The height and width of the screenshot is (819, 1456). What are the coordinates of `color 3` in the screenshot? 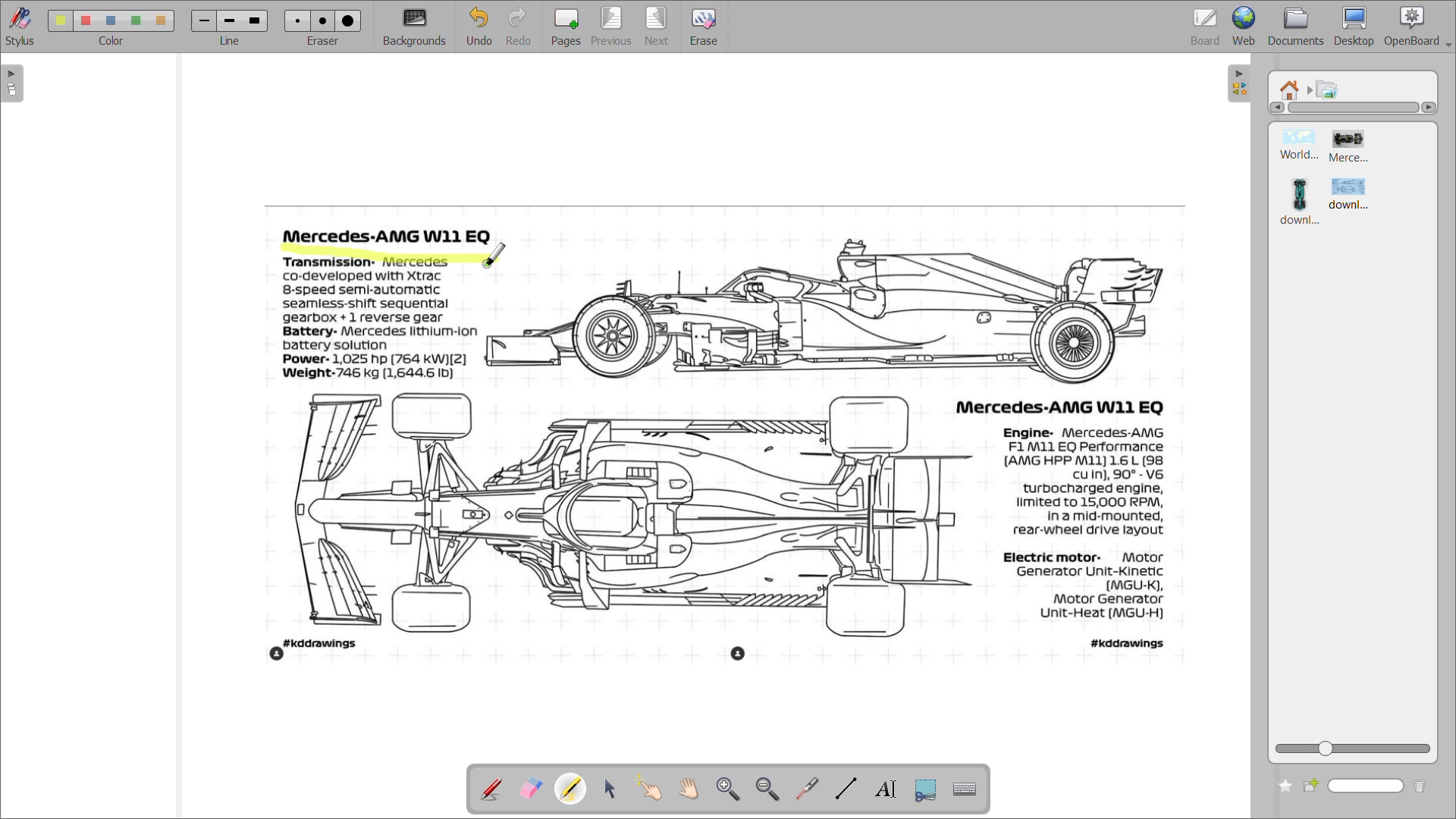 It's located at (113, 20).